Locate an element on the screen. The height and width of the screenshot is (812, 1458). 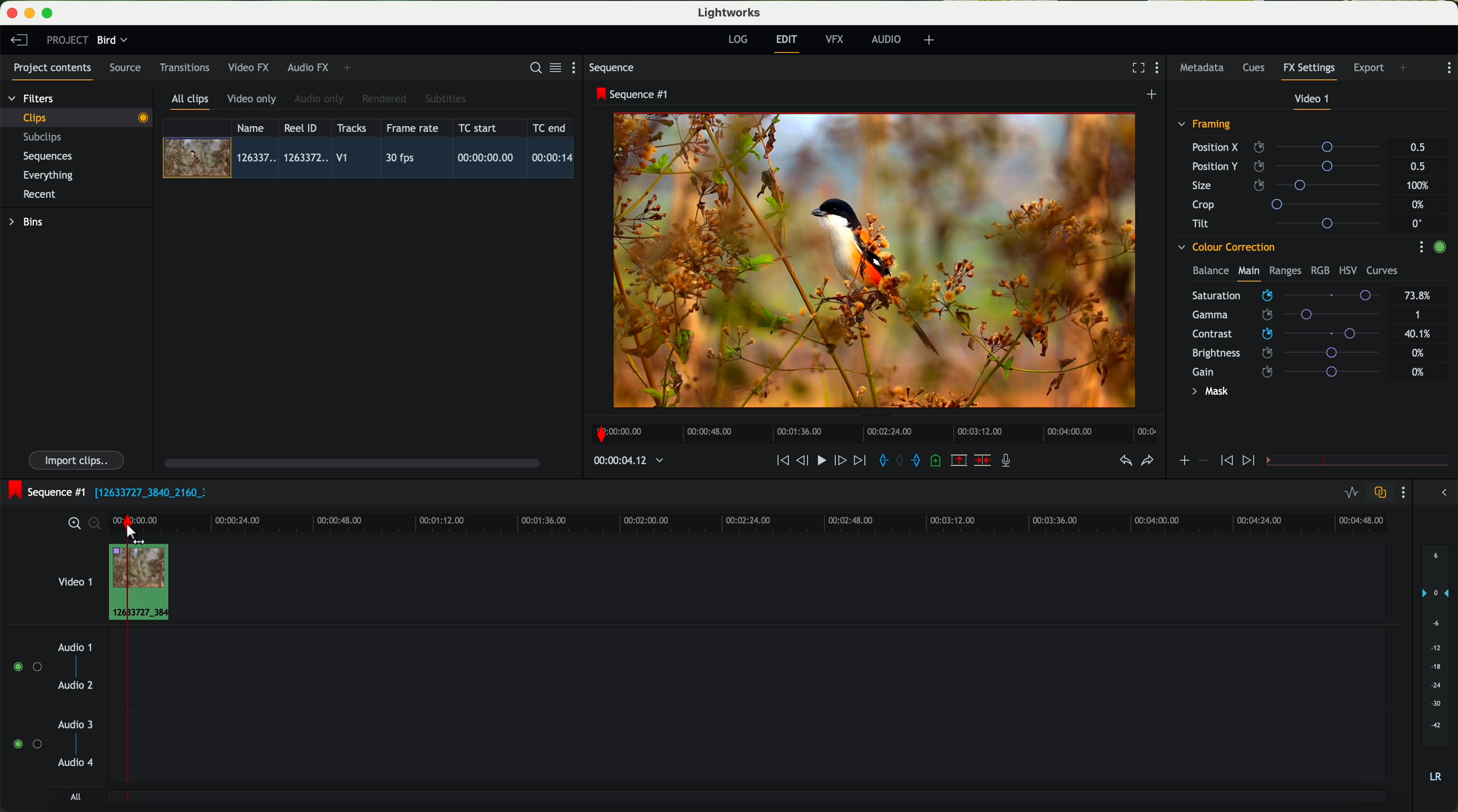
add a cue at the current position is located at coordinates (937, 461).